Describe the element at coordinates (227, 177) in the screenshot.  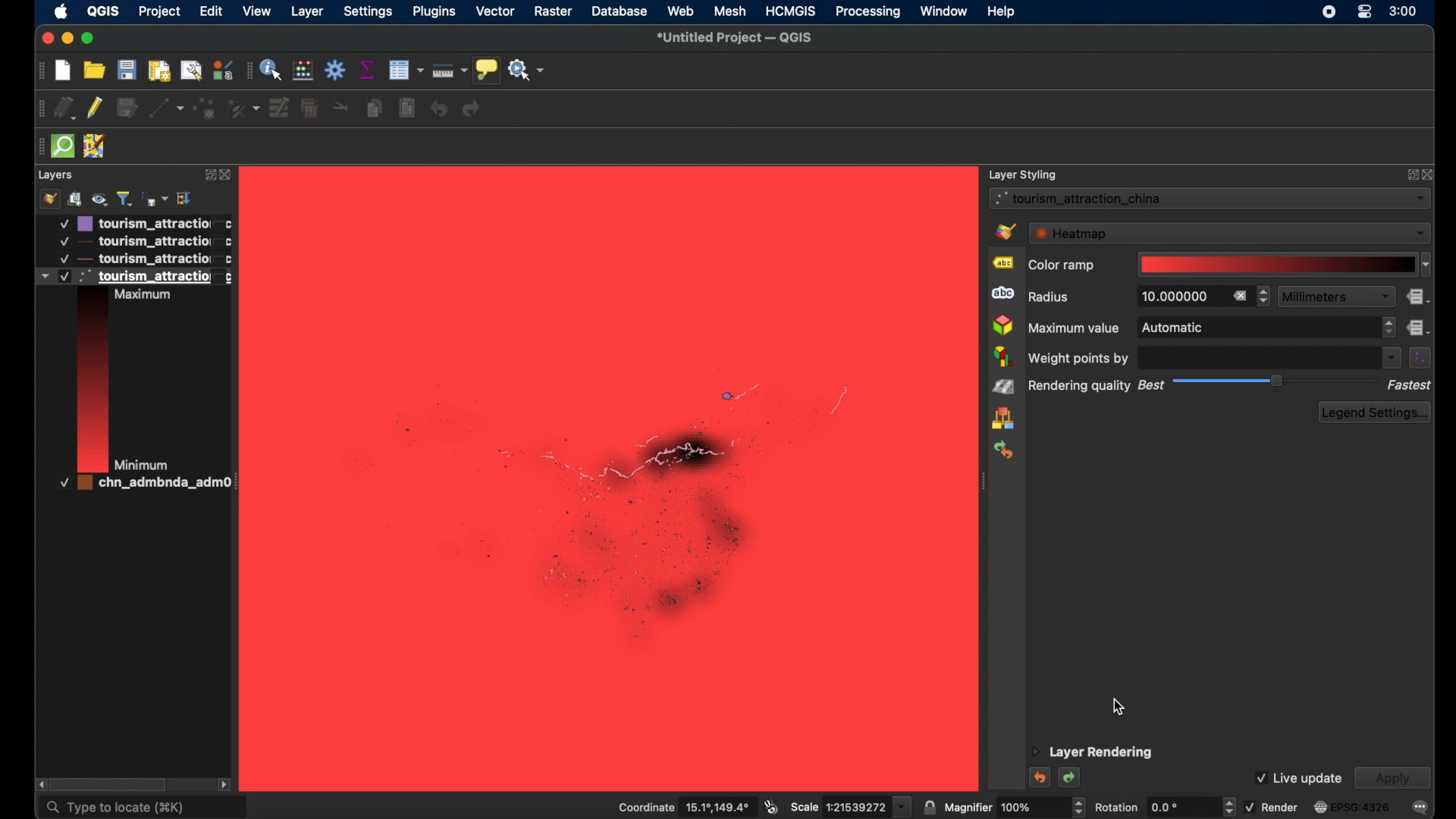
I see `close` at that location.